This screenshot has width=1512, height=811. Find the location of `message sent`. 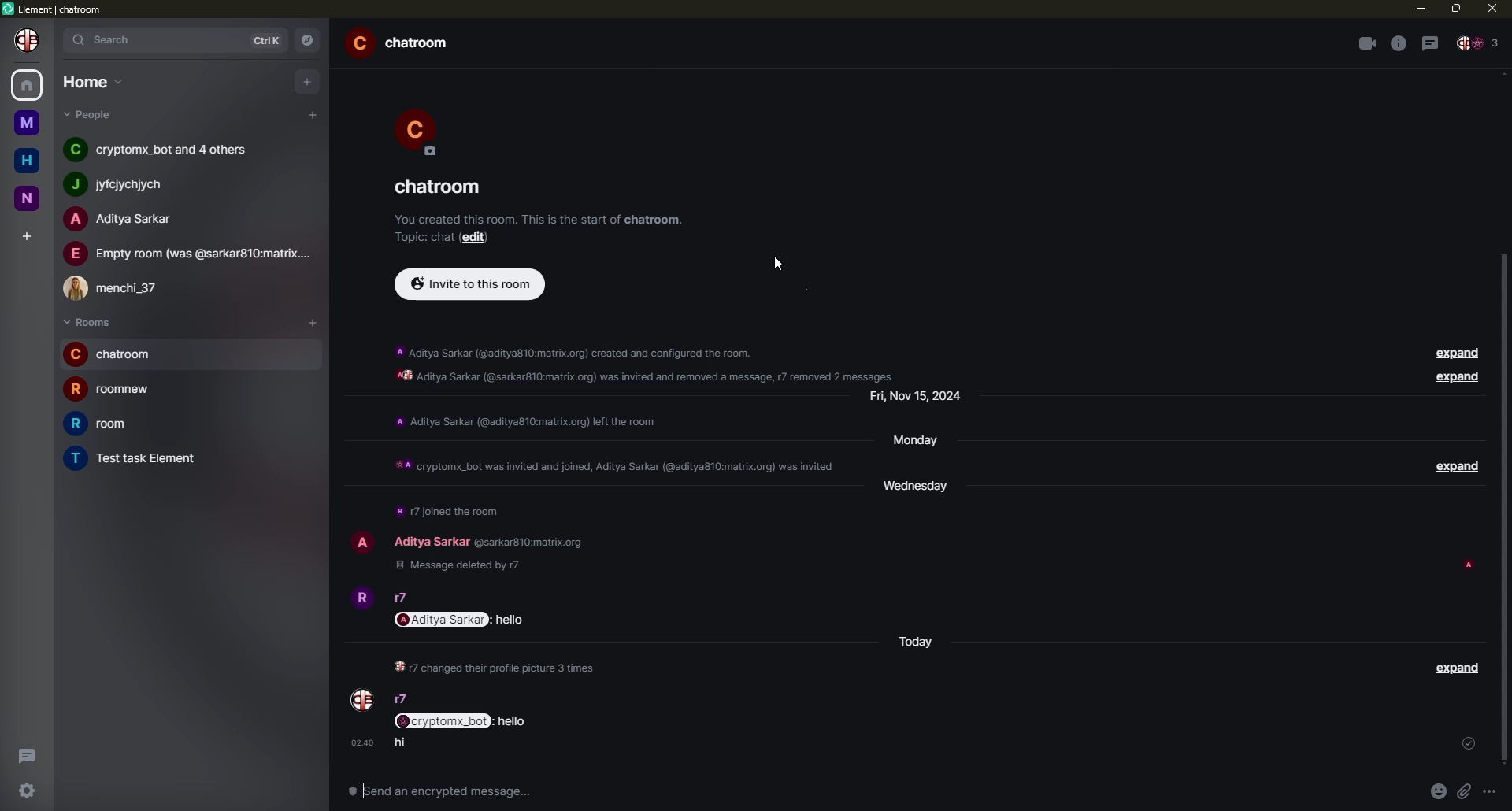

message sent is located at coordinates (400, 743).